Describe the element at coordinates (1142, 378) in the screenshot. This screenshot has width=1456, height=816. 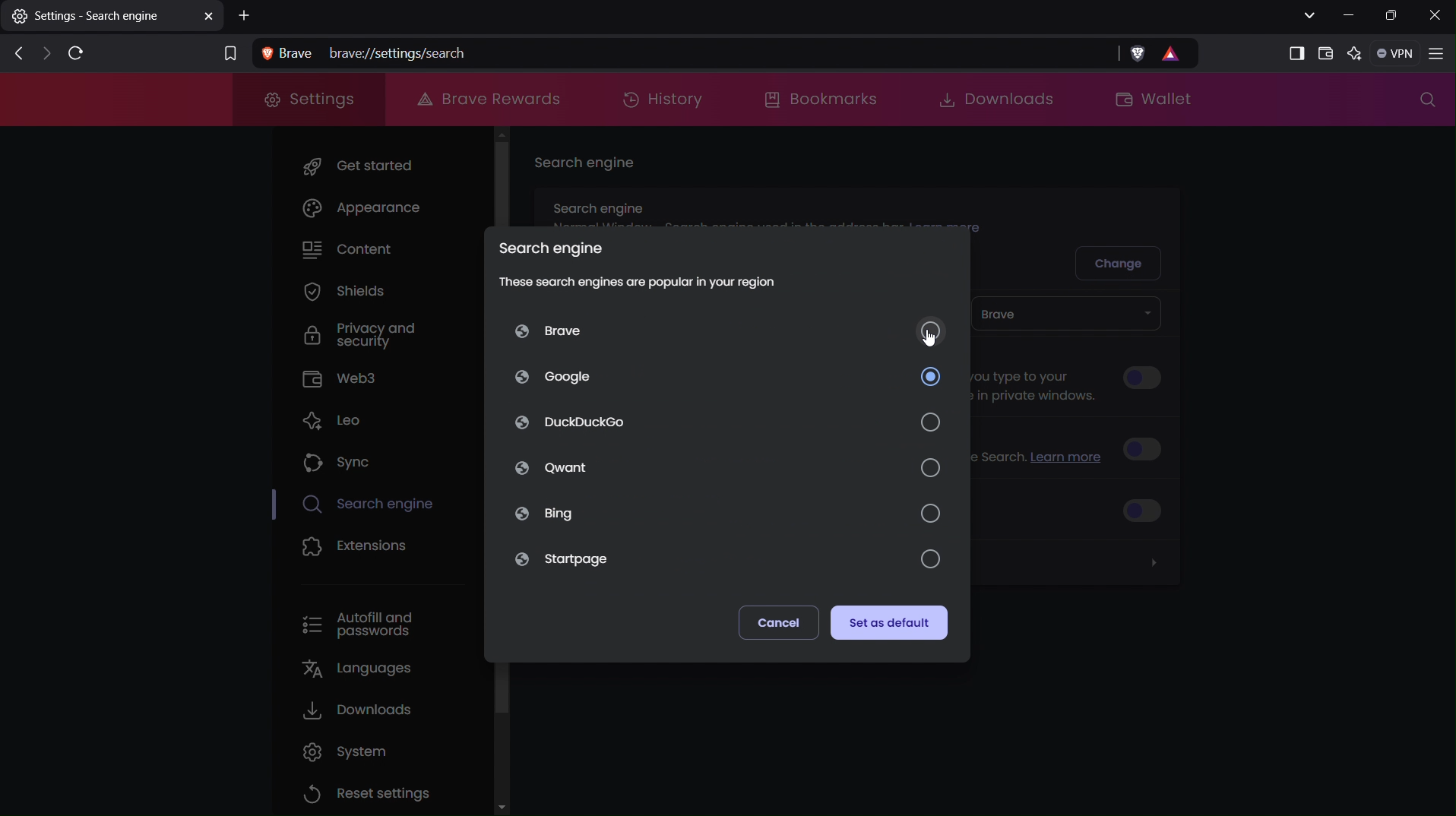
I see `Button` at that location.